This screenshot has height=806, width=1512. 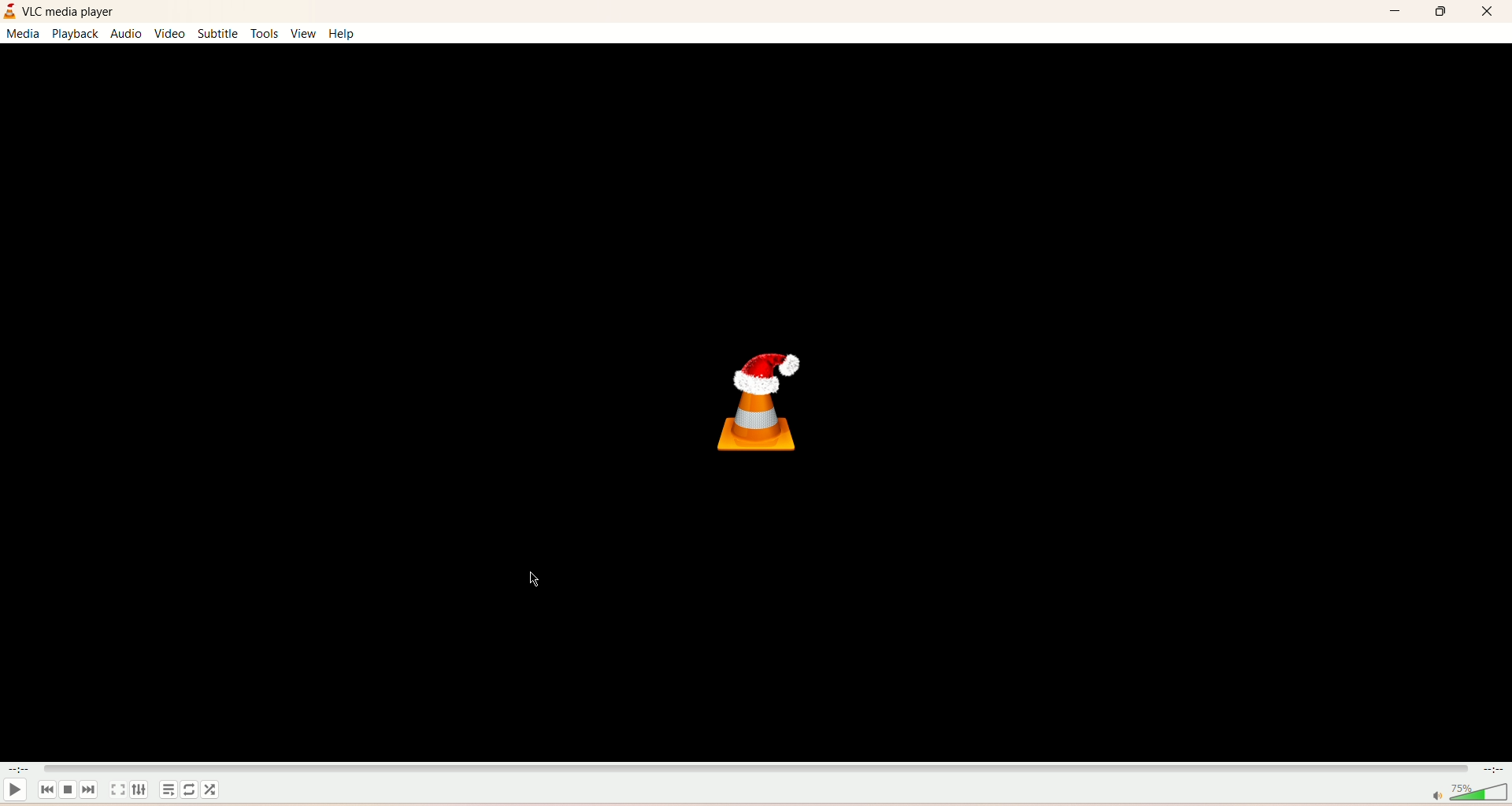 What do you see at coordinates (46, 790) in the screenshot?
I see `previous` at bounding box center [46, 790].